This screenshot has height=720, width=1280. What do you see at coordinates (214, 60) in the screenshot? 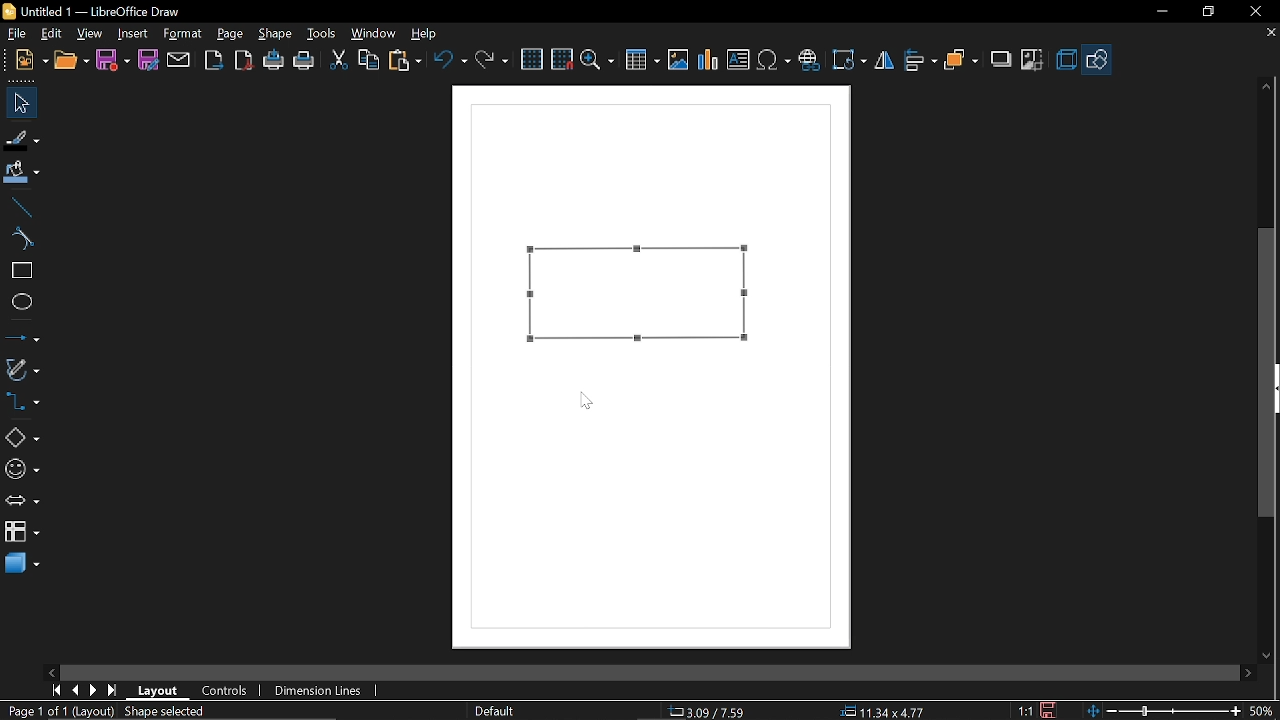
I see `Export` at bounding box center [214, 60].